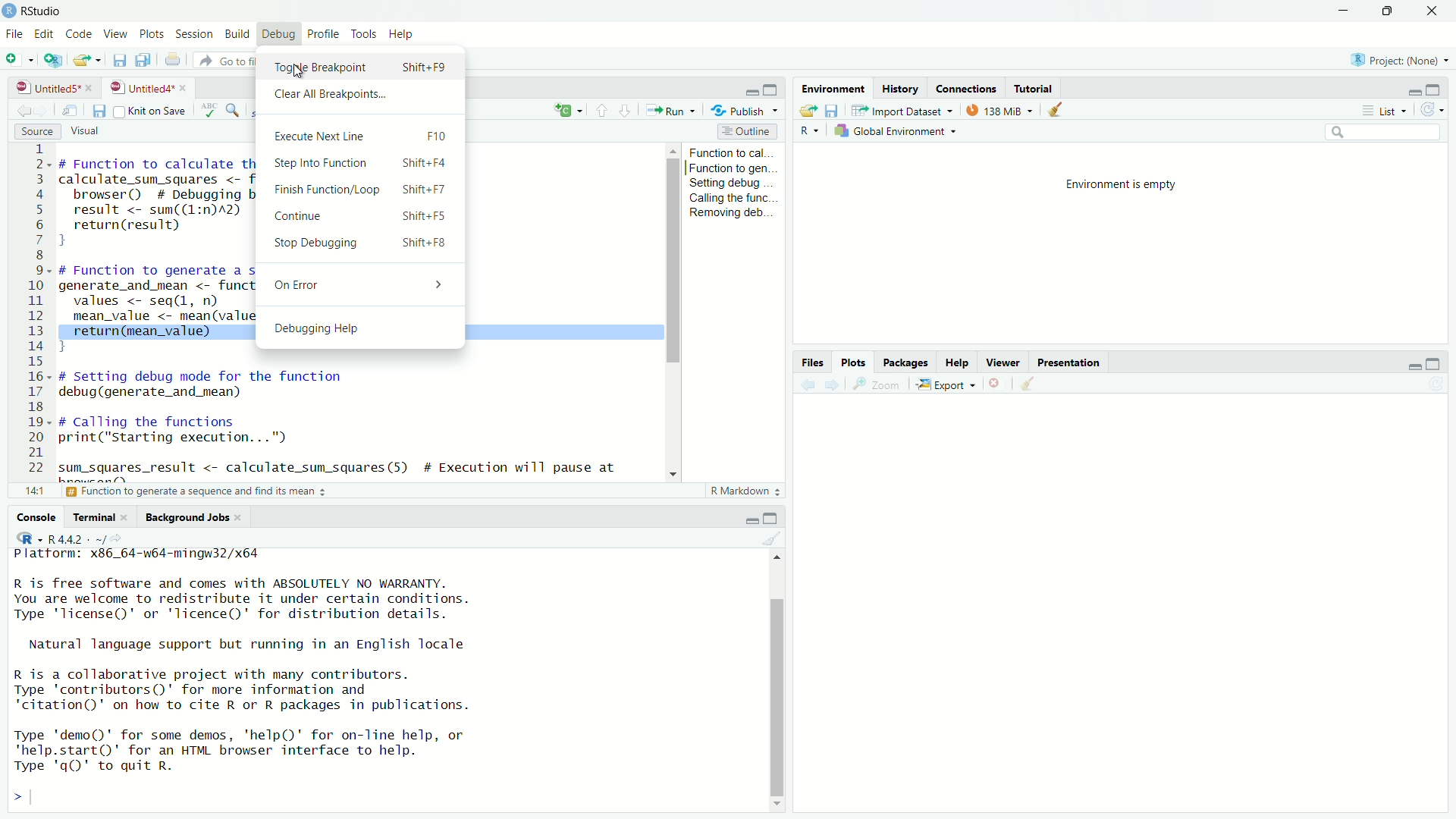 The height and width of the screenshot is (819, 1456). I want to click on clear all plots, so click(1030, 384).